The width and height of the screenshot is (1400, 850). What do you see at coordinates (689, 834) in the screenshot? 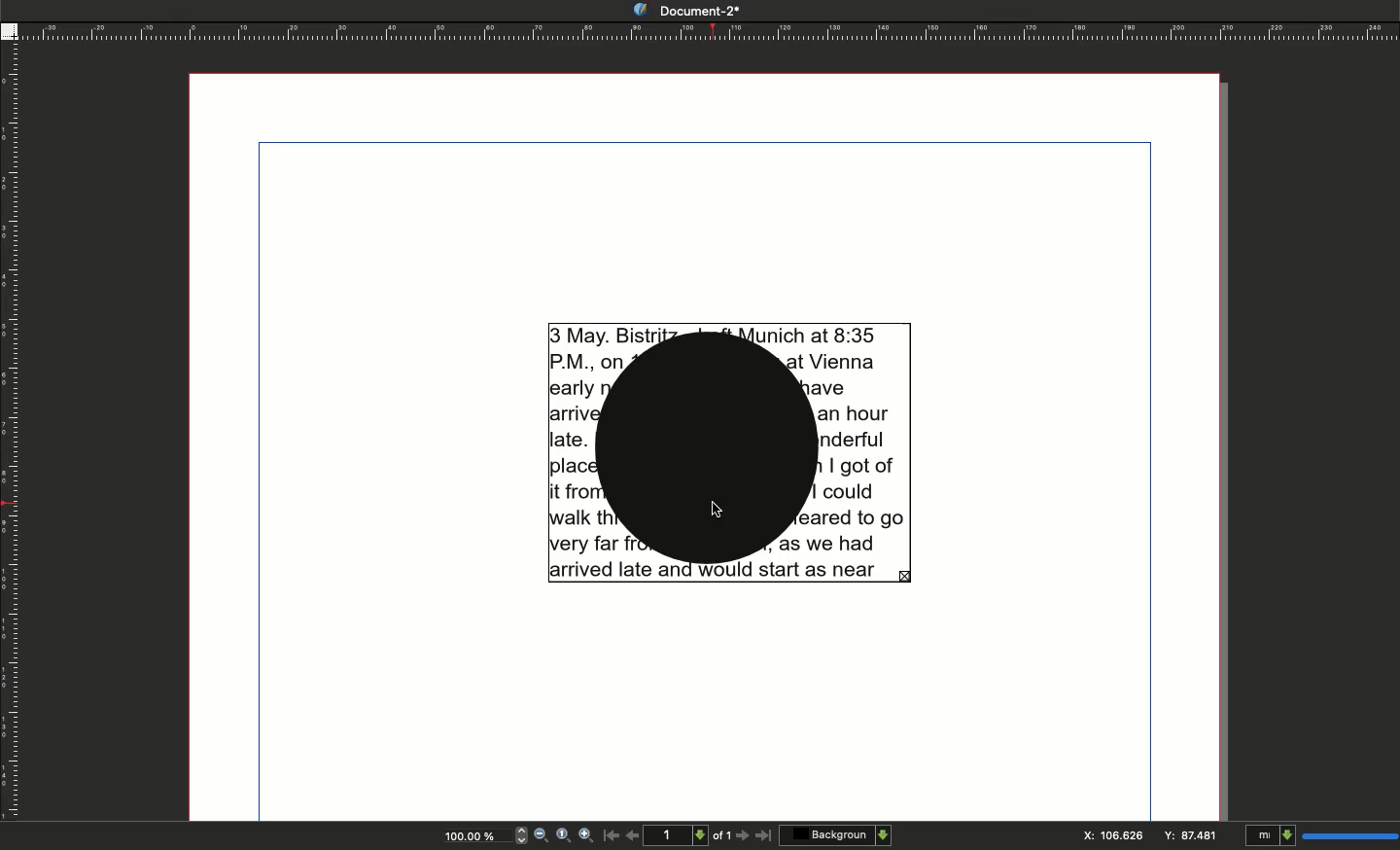
I see `Page count` at bounding box center [689, 834].